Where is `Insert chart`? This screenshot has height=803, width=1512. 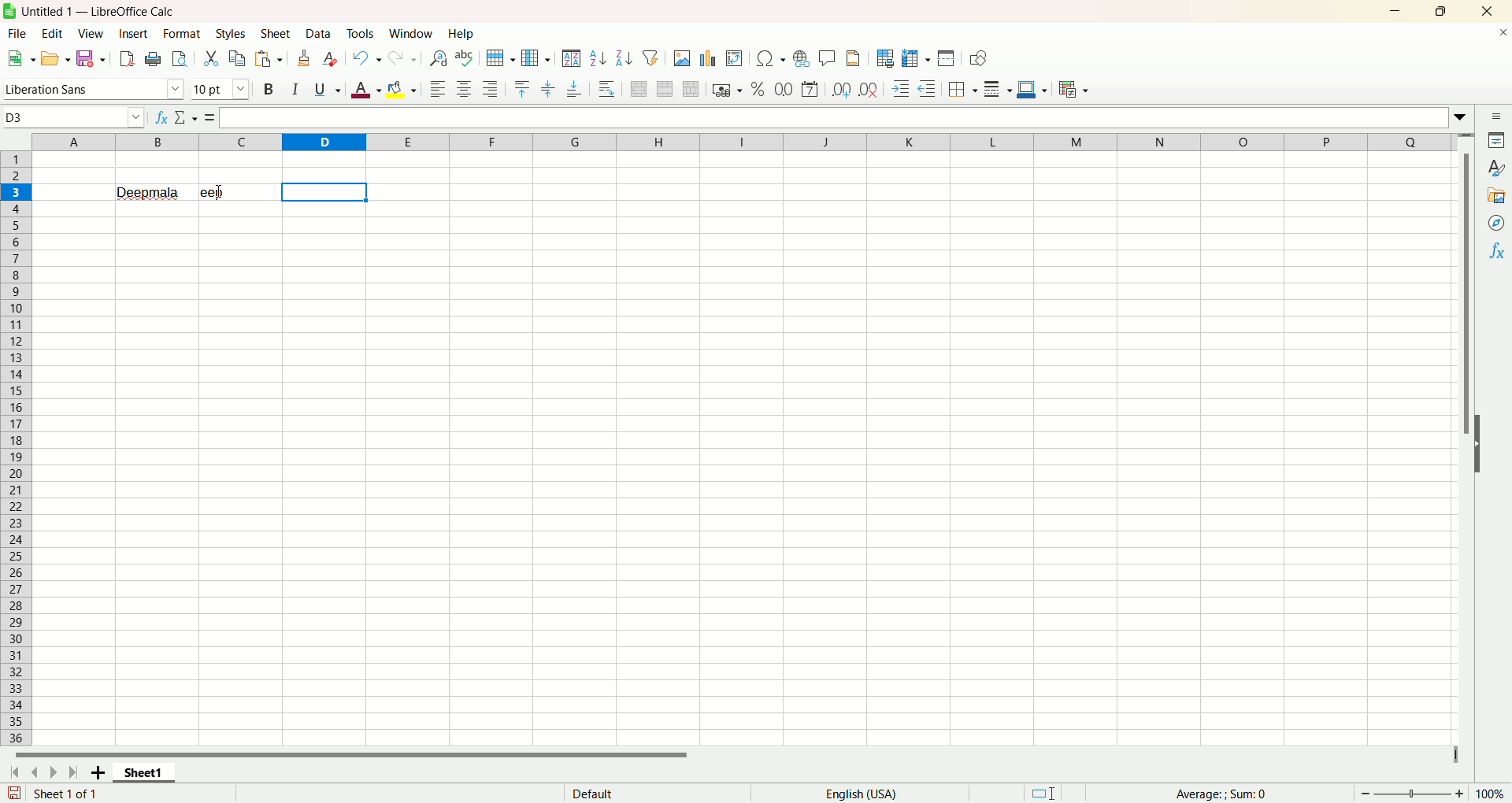
Insert chart is located at coordinates (710, 59).